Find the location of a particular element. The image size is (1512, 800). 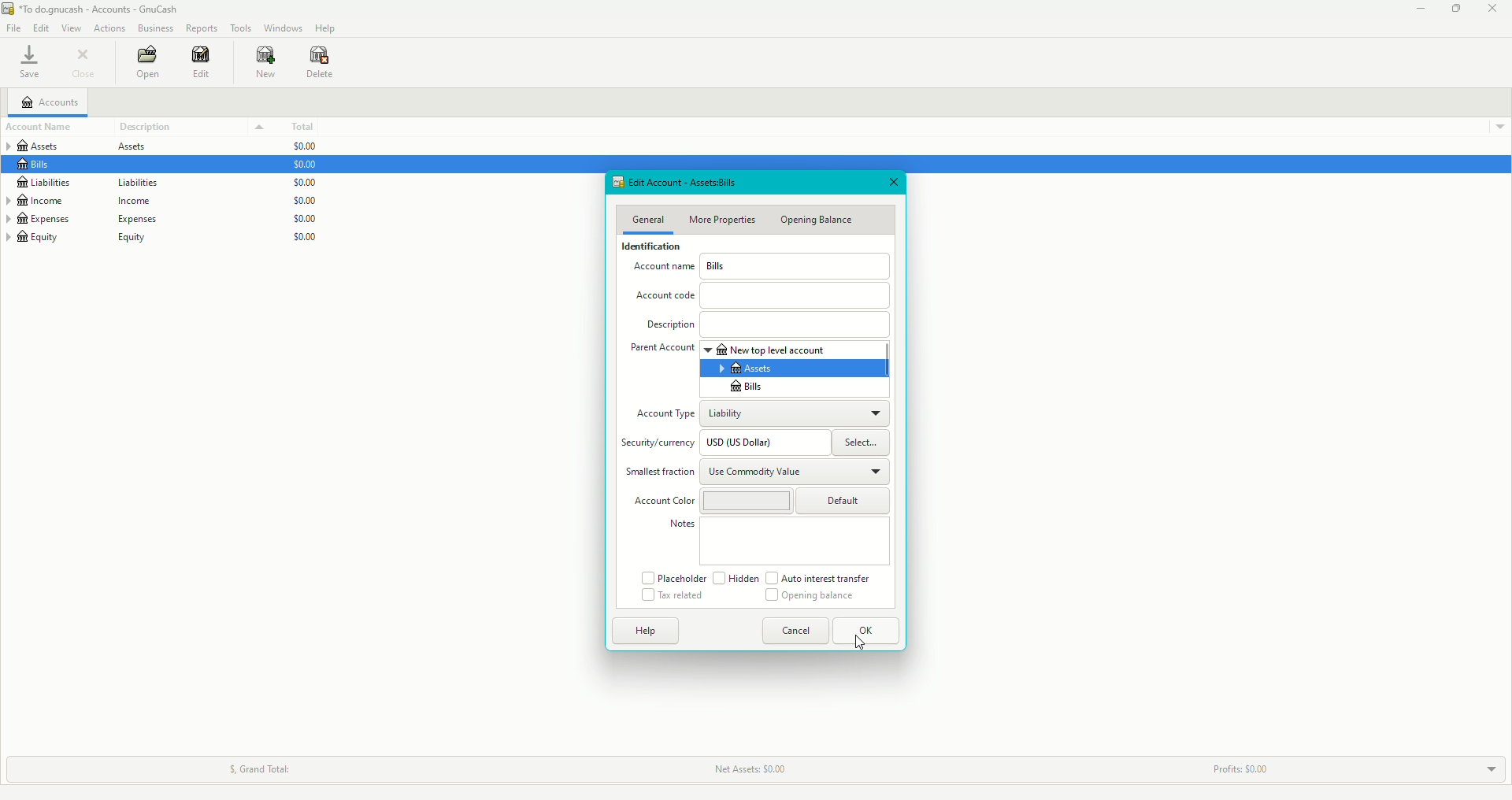

Equity is located at coordinates (83, 242).